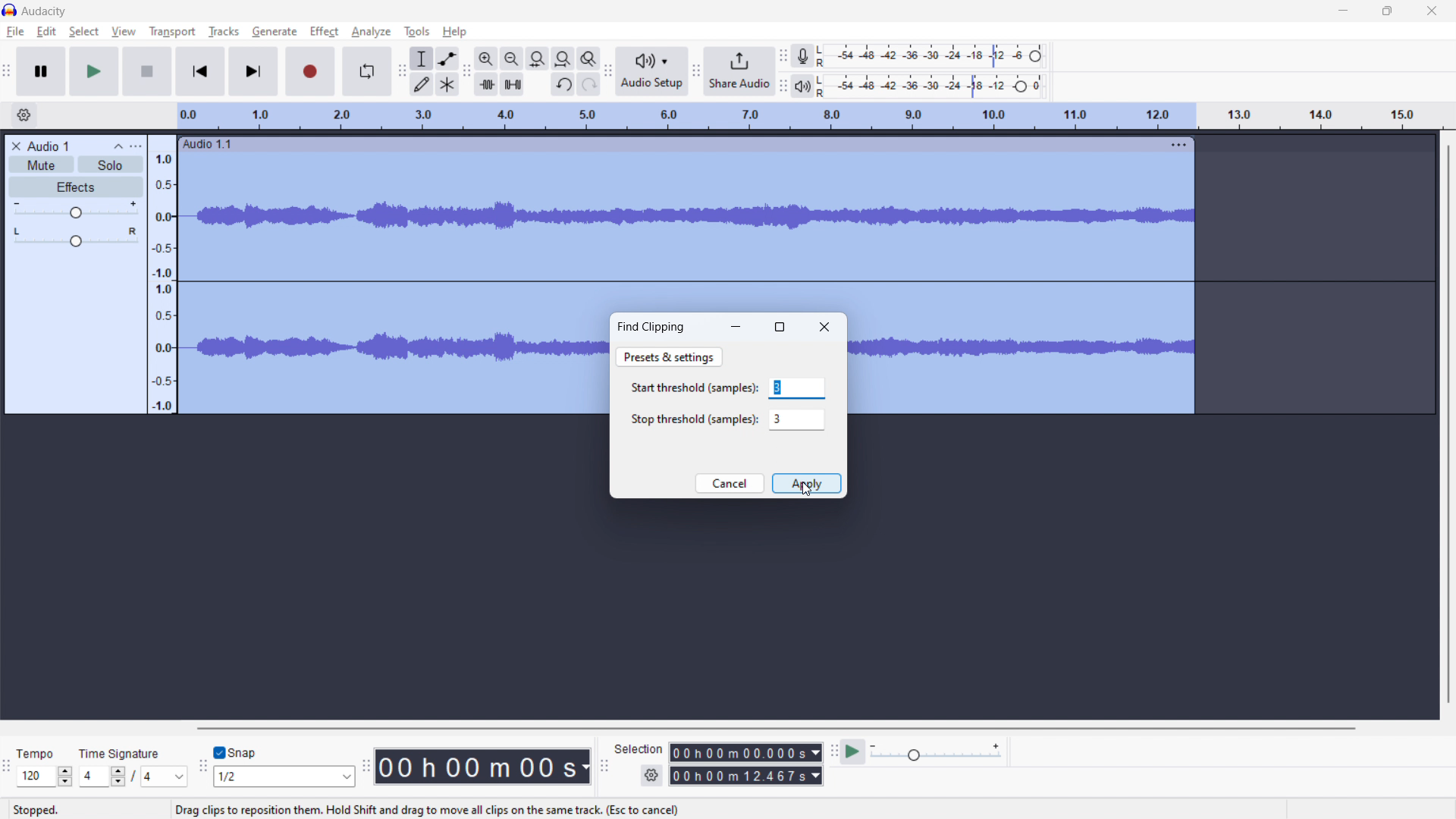  Describe the element at coordinates (136, 146) in the screenshot. I see `options` at that location.